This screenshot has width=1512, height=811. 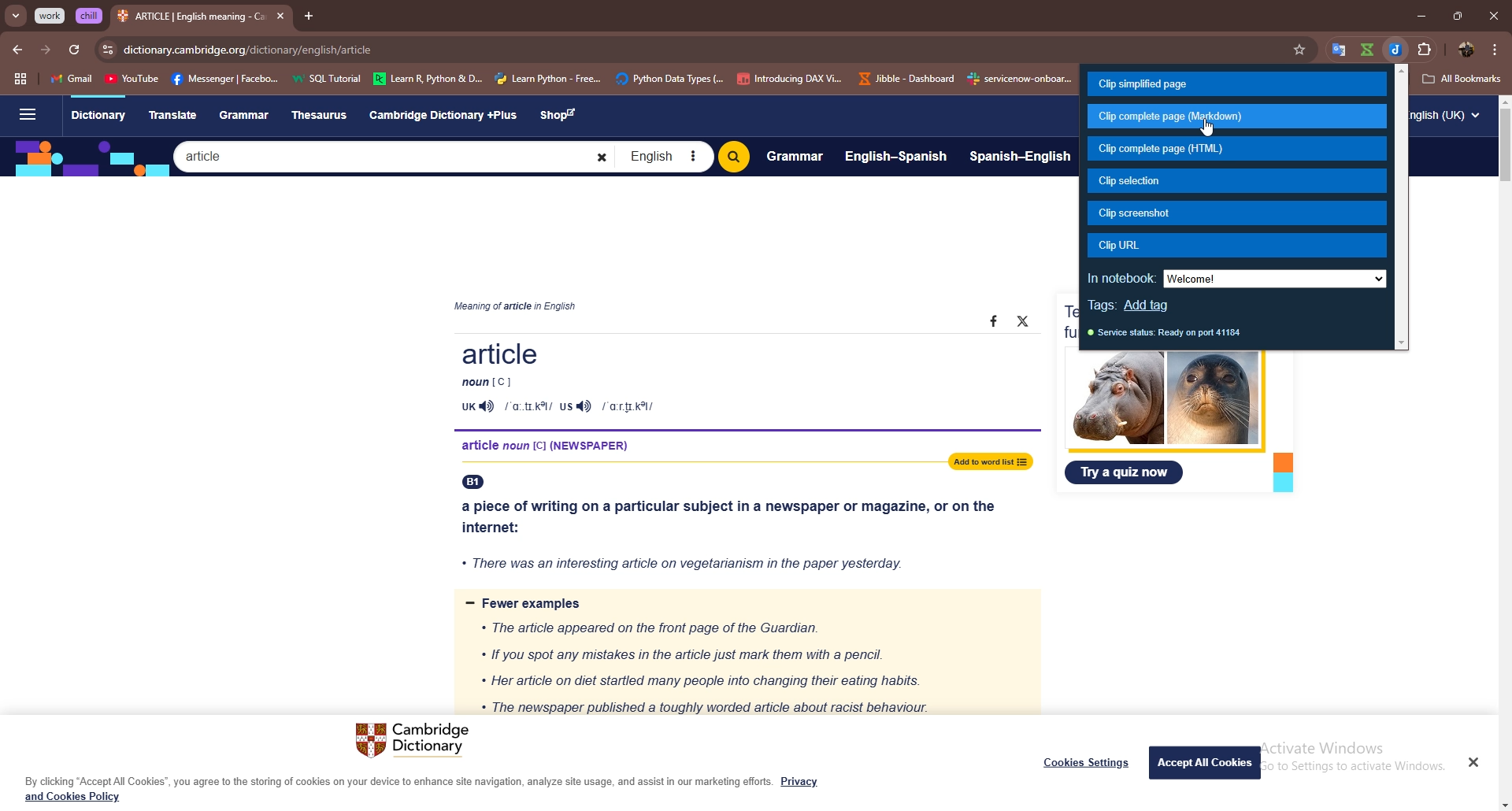 What do you see at coordinates (1367, 49) in the screenshot?
I see `extension` at bounding box center [1367, 49].